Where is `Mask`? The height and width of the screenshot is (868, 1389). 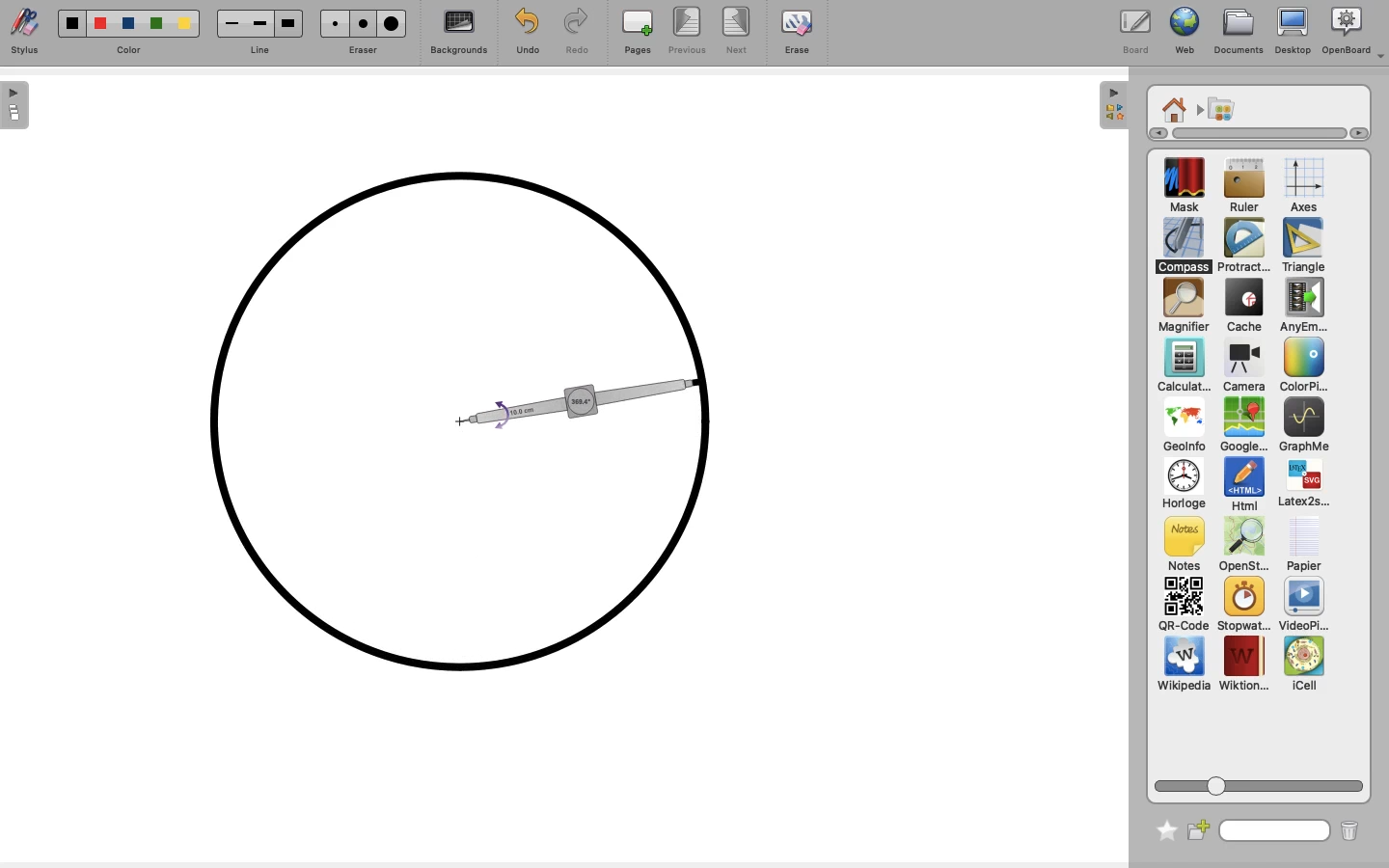 Mask is located at coordinates (1185, 187).